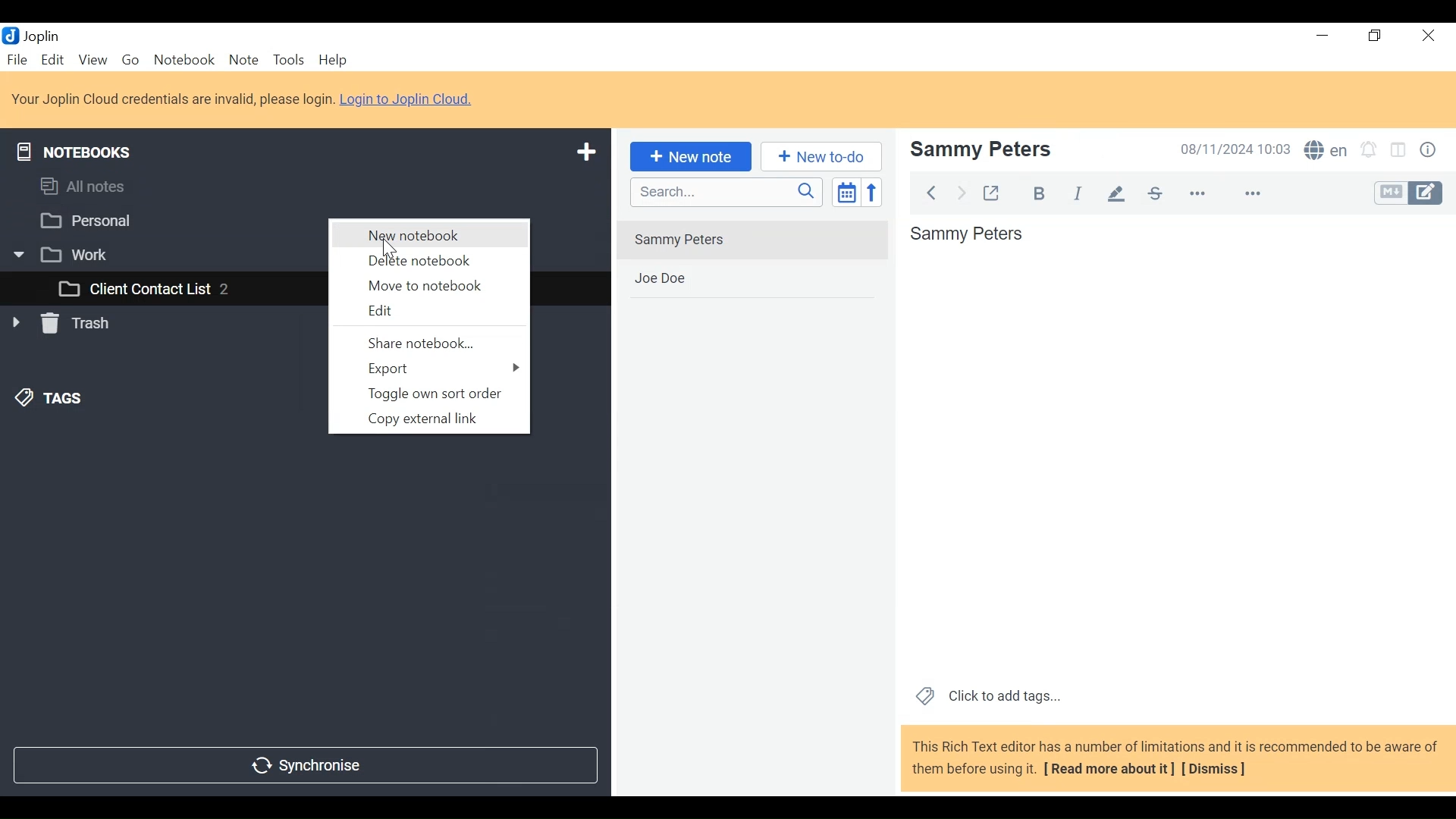 This screenshot has width=1456, height=819. Describe the element at coordinates (429, 368) in the screenshot. I see `Export` at that location.